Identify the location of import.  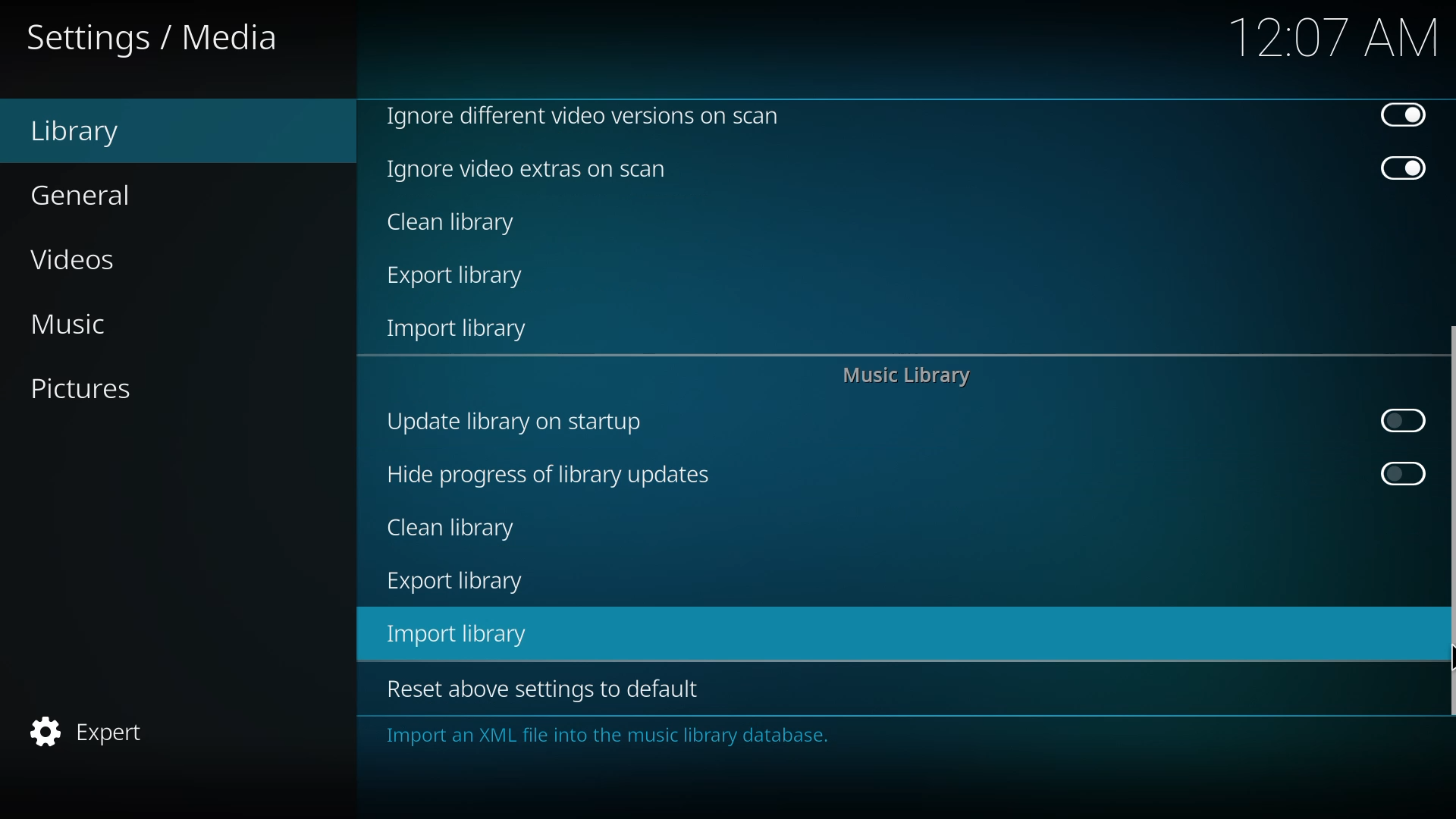
(460, 331).